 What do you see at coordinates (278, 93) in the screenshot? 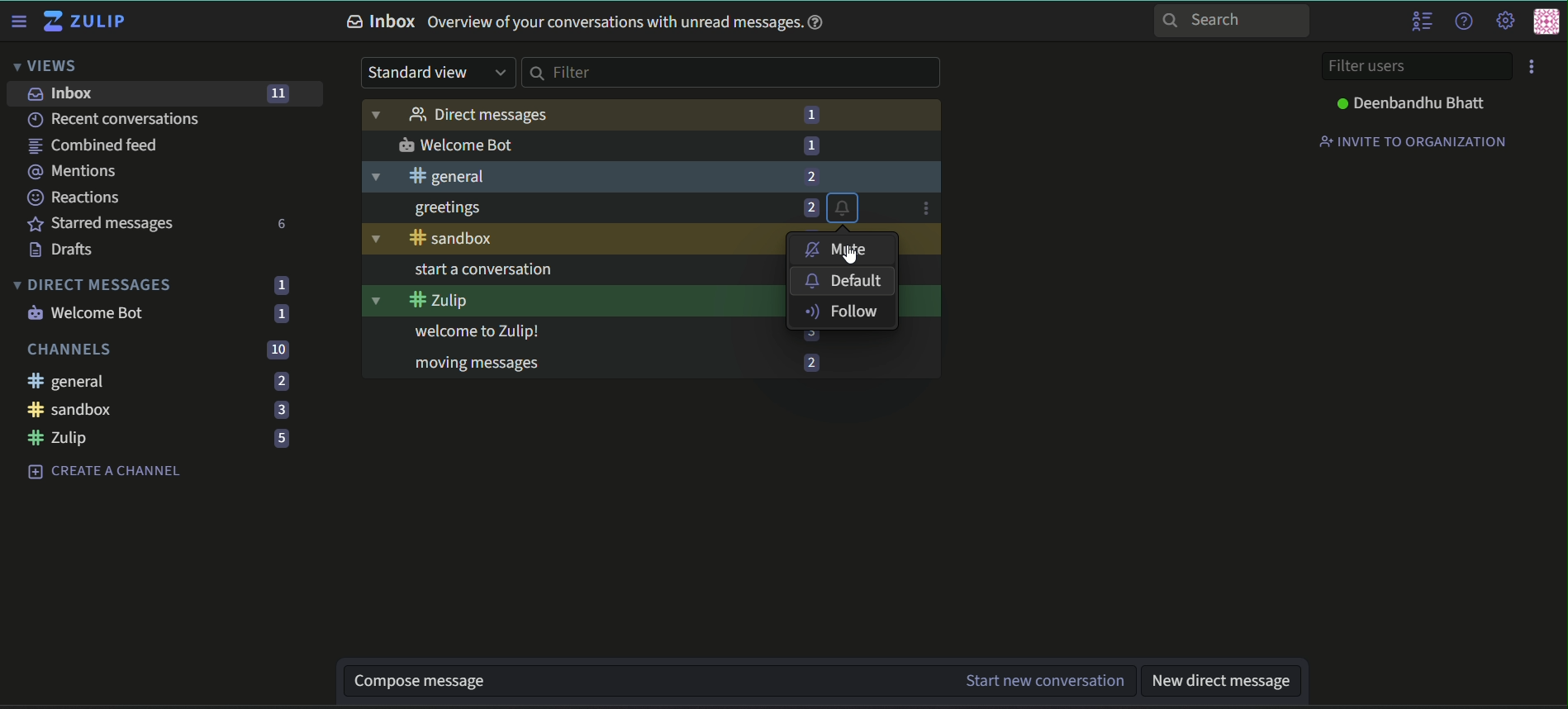
I see `number` at bounding box center [278, 93].